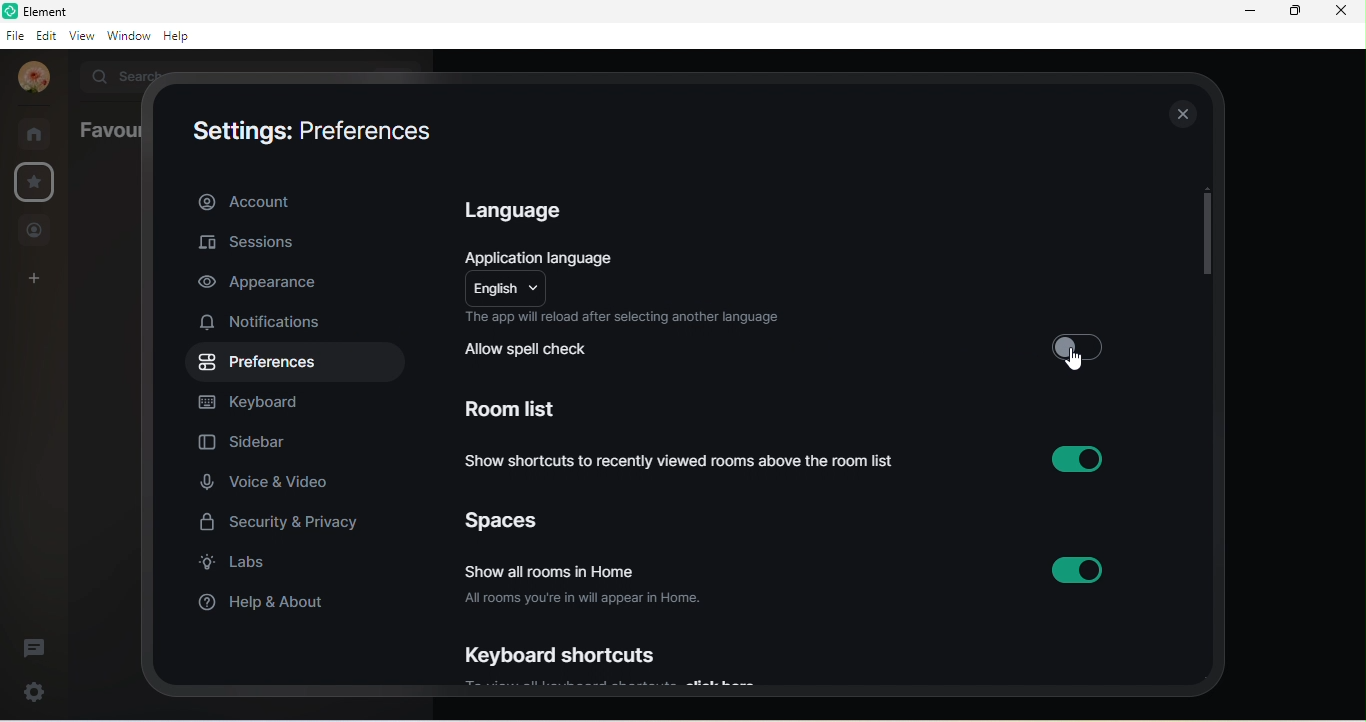  What do you see at coordinates (565, 661) in the screenshot?
I see `keyboard shortcuts` at bounding box center [565, 661].